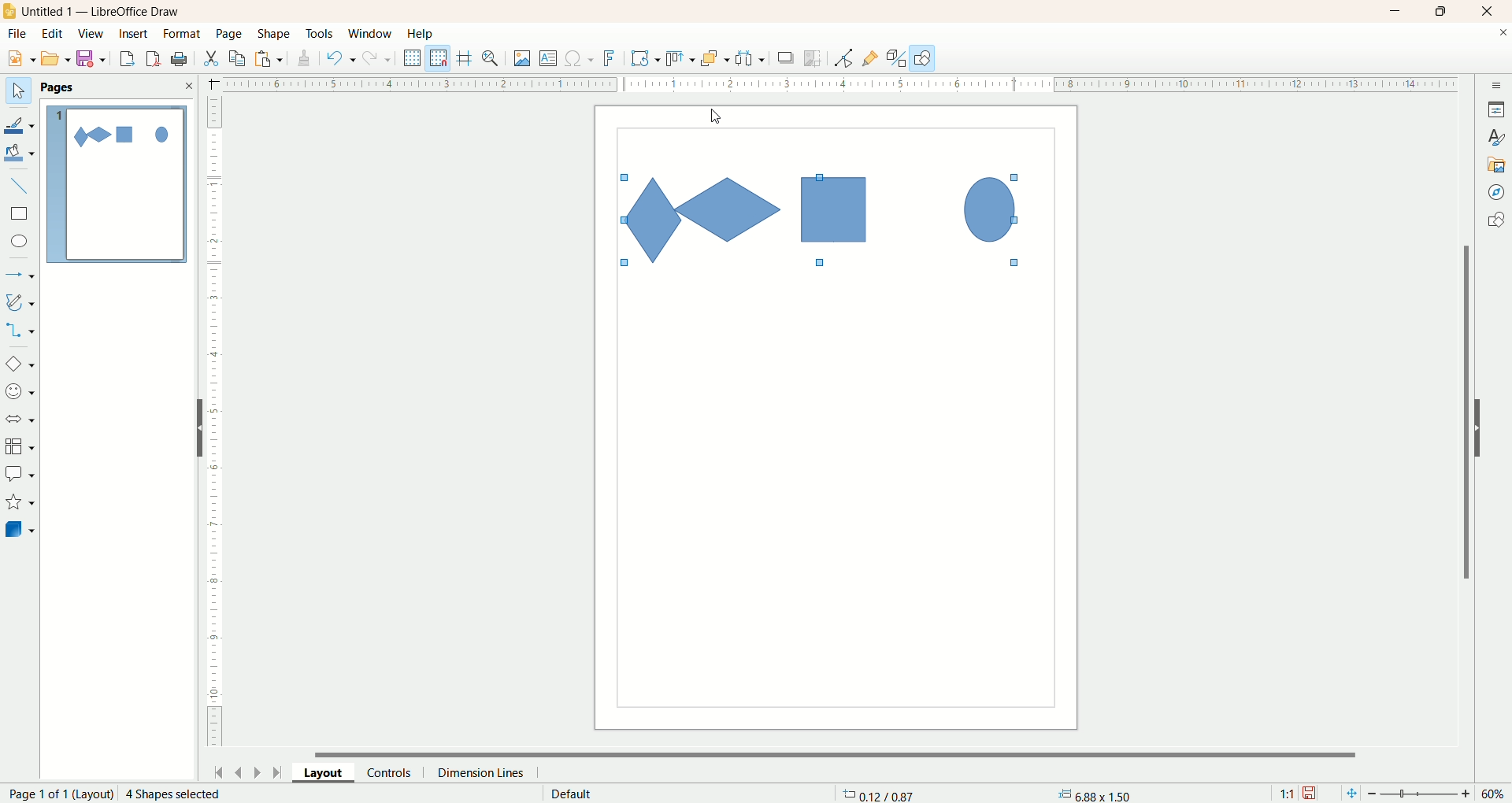 This screenshot has width=1512, height=803. What do you see at coordinates (280, 771) in the screenshot?
I see `last page` at bounding box center [280, 771].